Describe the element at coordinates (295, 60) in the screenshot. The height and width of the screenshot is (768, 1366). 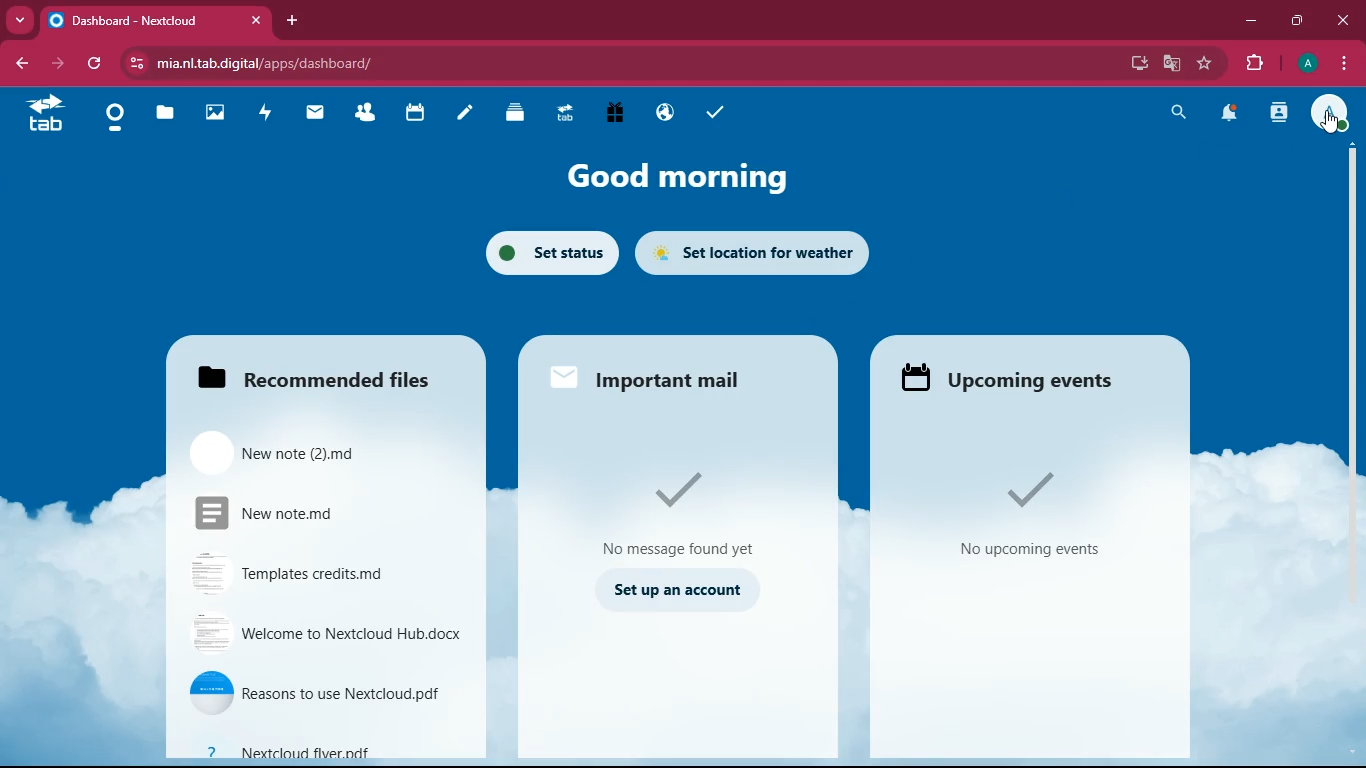
I see `url` at that location.